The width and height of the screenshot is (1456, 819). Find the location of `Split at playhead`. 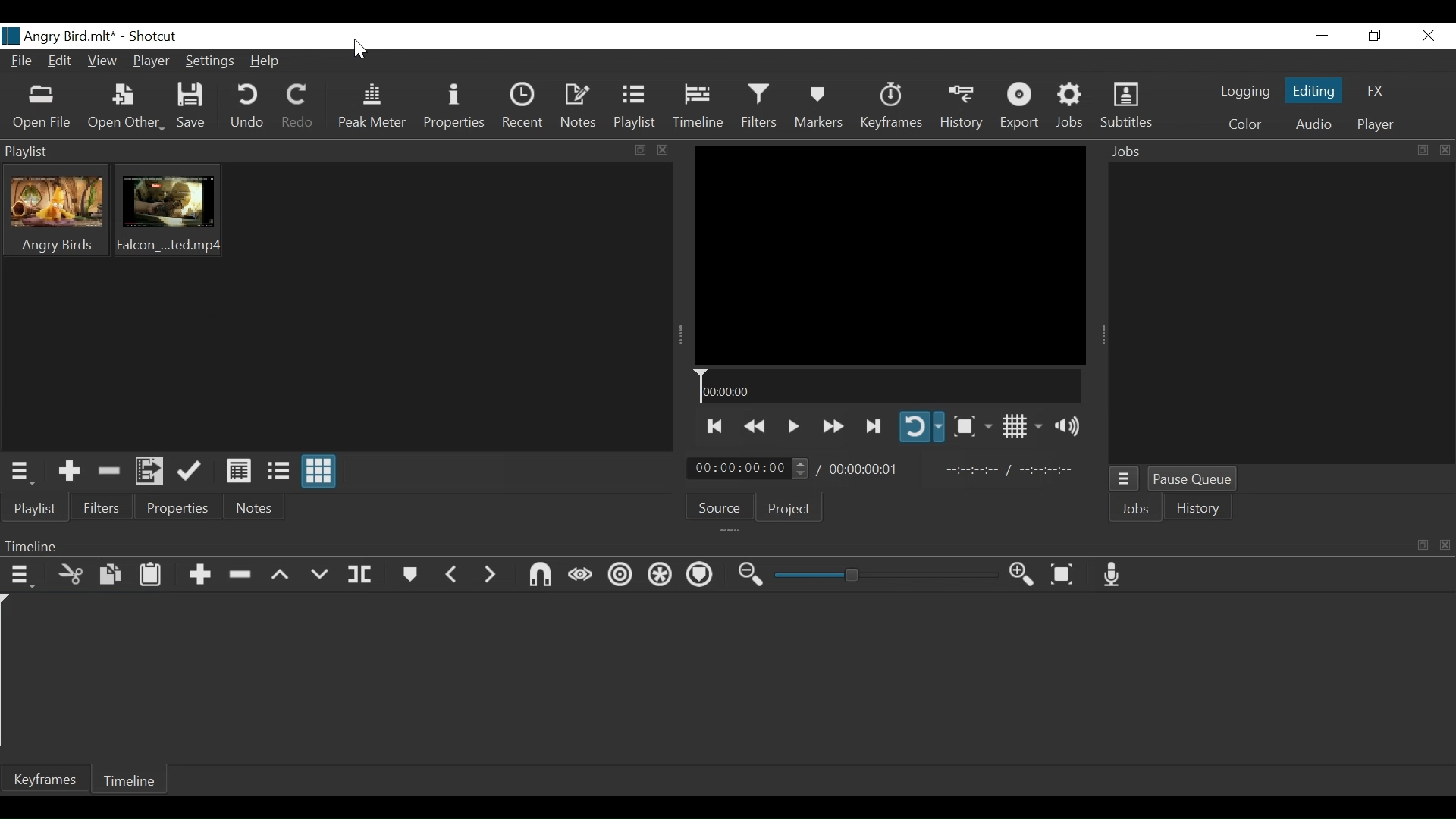

Split at playhead is located at coordinates (360, 574).